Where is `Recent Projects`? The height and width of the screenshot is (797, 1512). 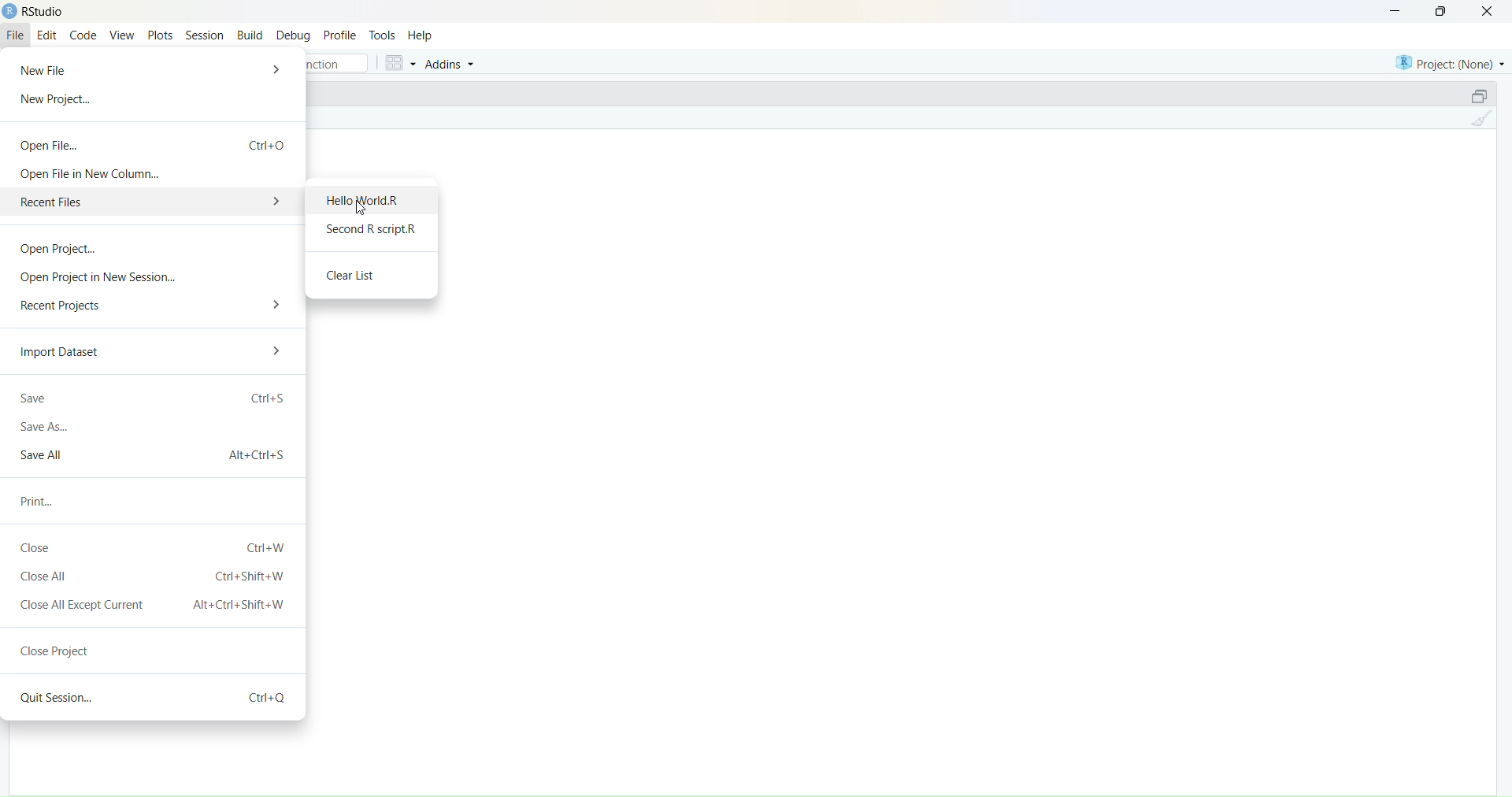
Recent Projects is located at coordinates (65, 307).